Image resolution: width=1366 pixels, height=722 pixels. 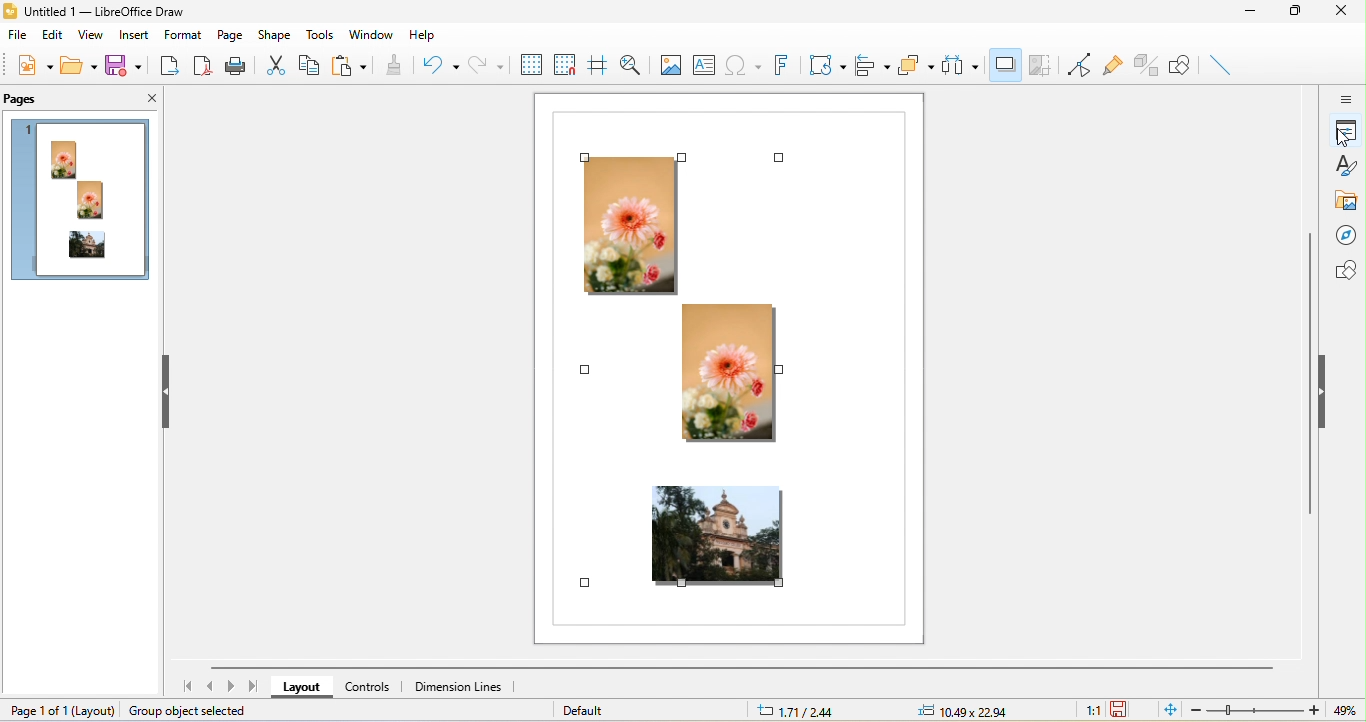 I want to click on 10.49x22.94, so click(x=963, y=710).